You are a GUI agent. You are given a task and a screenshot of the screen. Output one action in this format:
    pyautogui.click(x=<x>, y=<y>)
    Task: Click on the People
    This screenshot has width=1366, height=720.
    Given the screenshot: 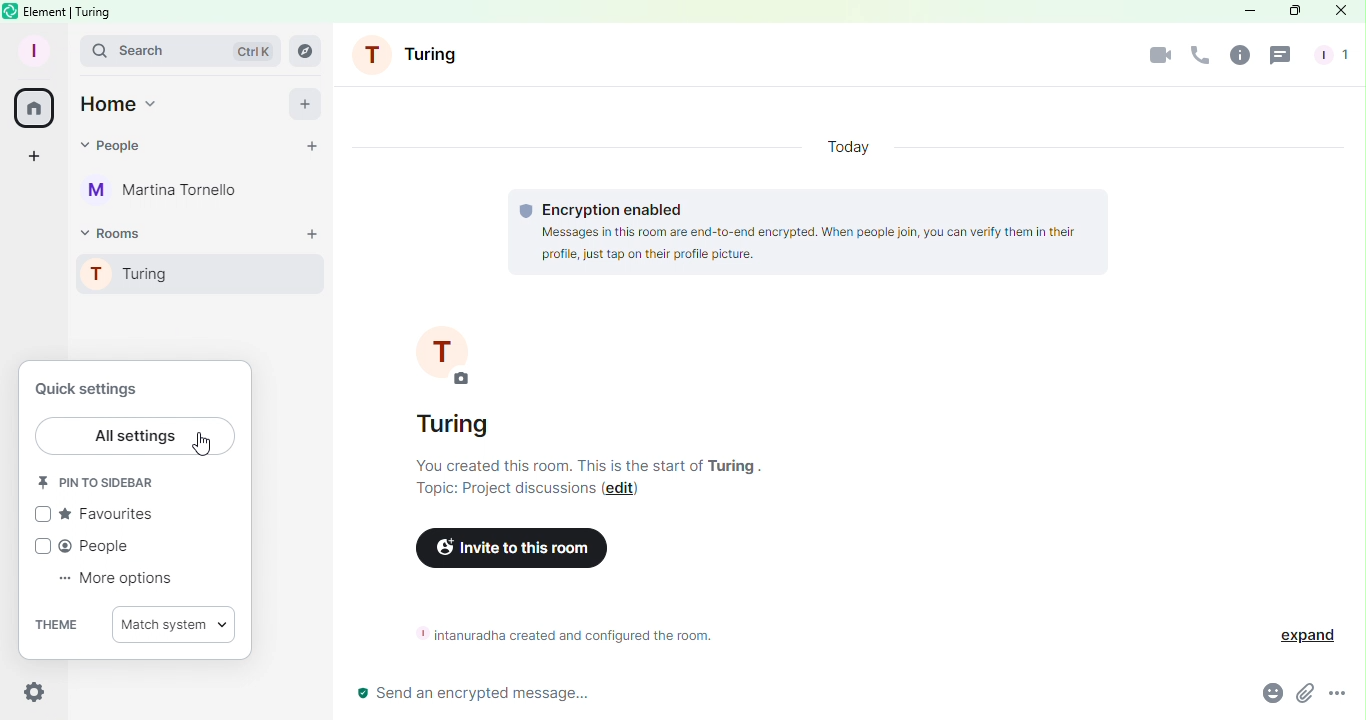 What is the action you would take?
    pyautogui.click(x=96, y=545)
    